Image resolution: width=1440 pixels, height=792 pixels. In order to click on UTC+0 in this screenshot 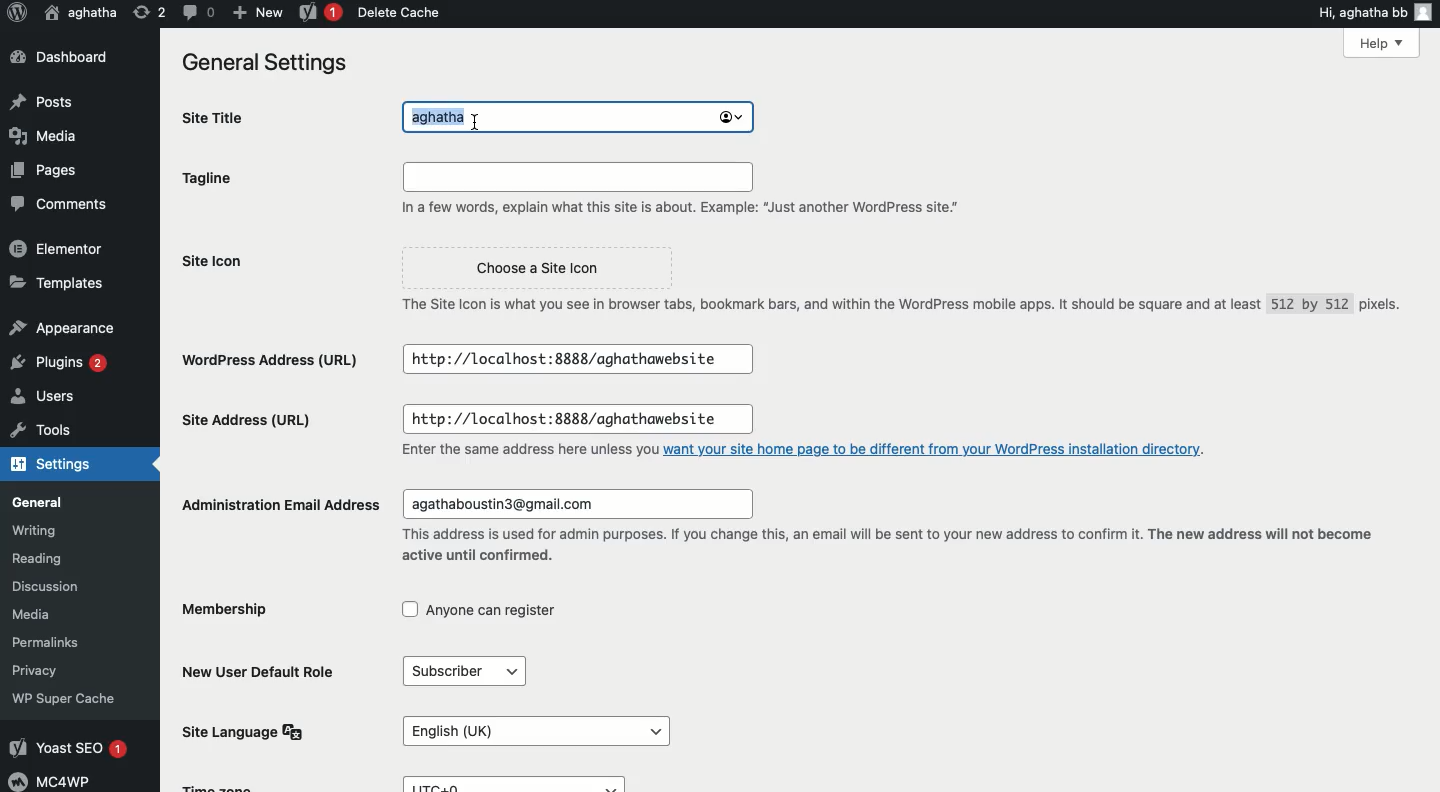, I will do `click(520, 783)`.